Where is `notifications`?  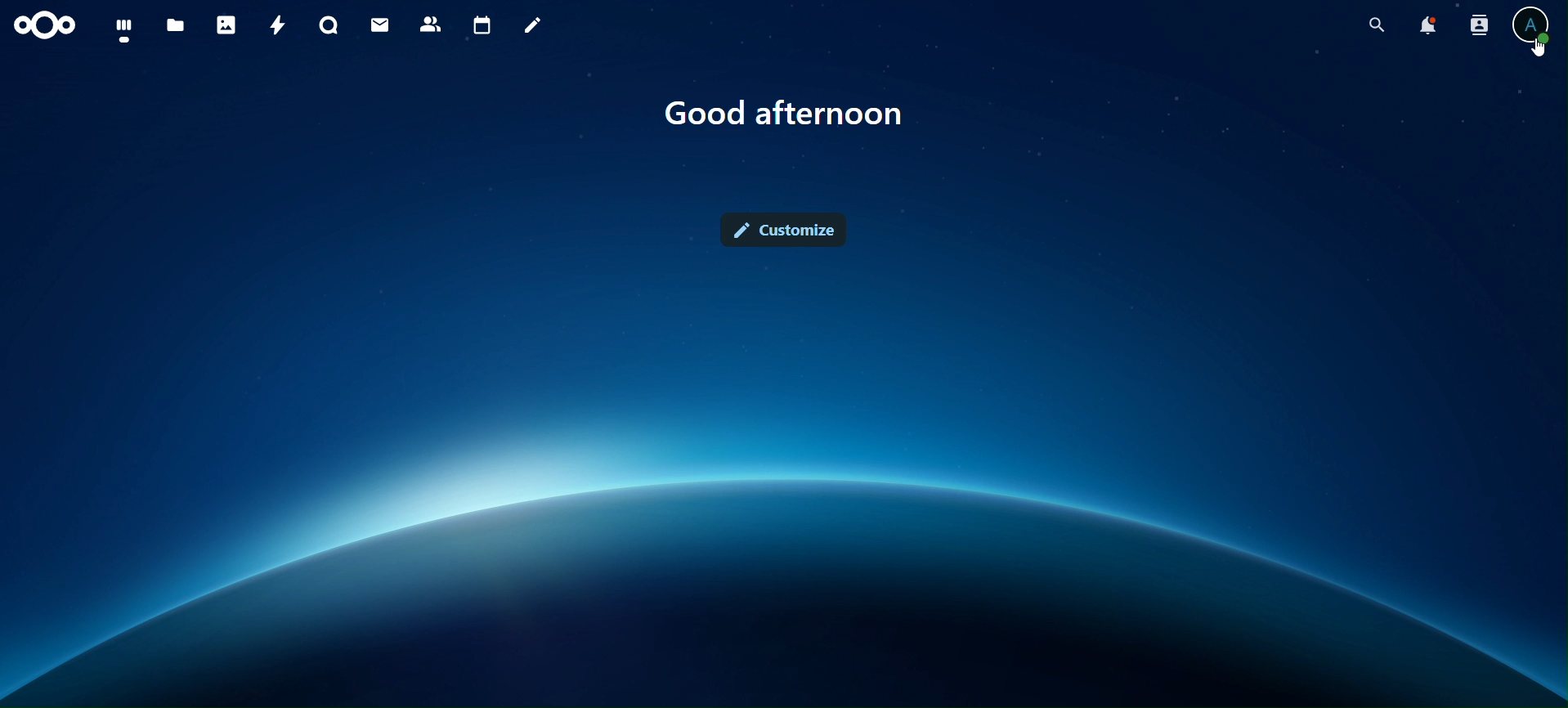
notifications is located at coordinates (1429, 23).